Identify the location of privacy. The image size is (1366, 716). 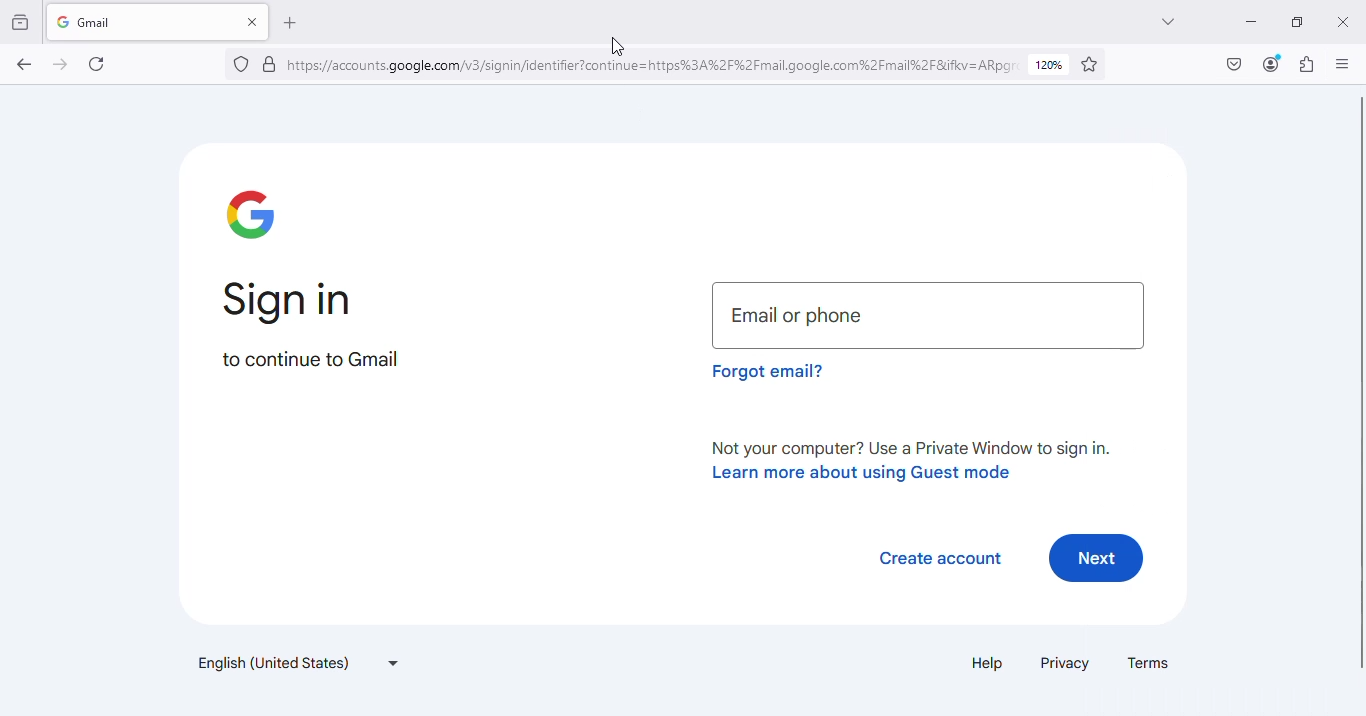
(1065, 662).